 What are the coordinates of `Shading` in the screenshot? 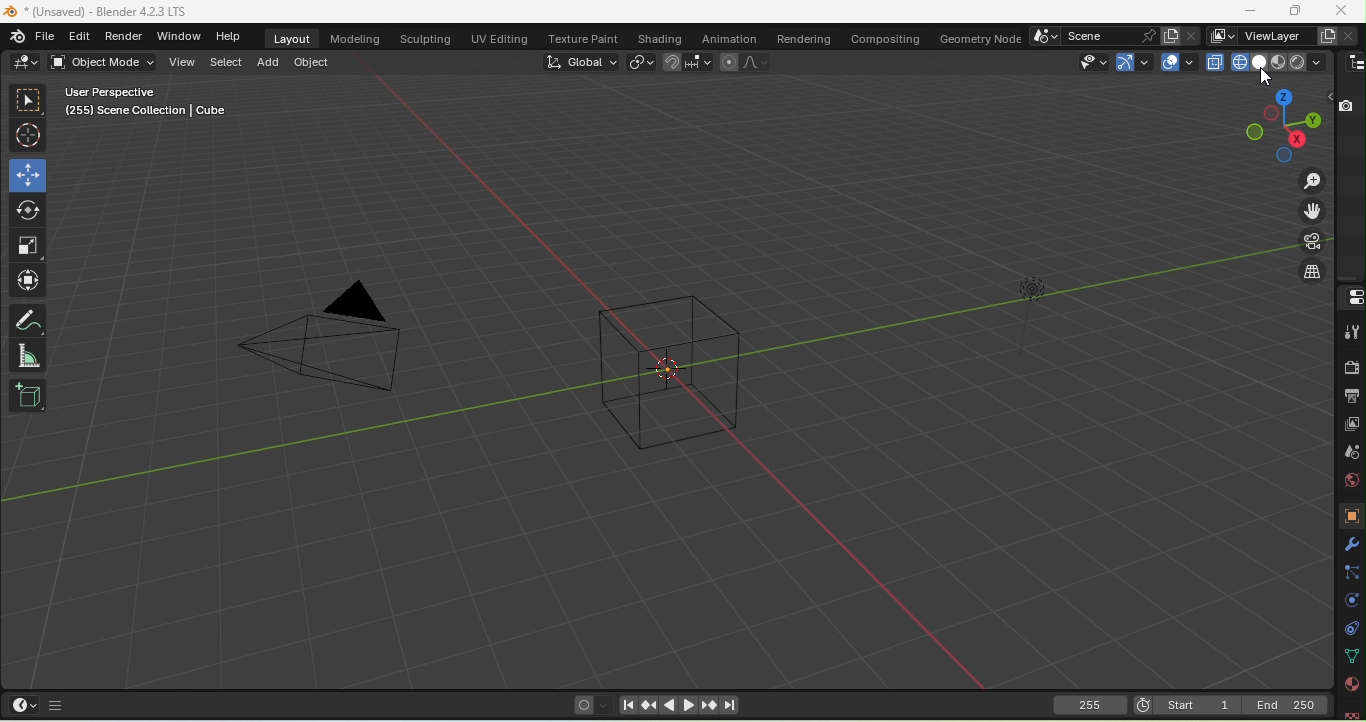 It's located at (660, 38).